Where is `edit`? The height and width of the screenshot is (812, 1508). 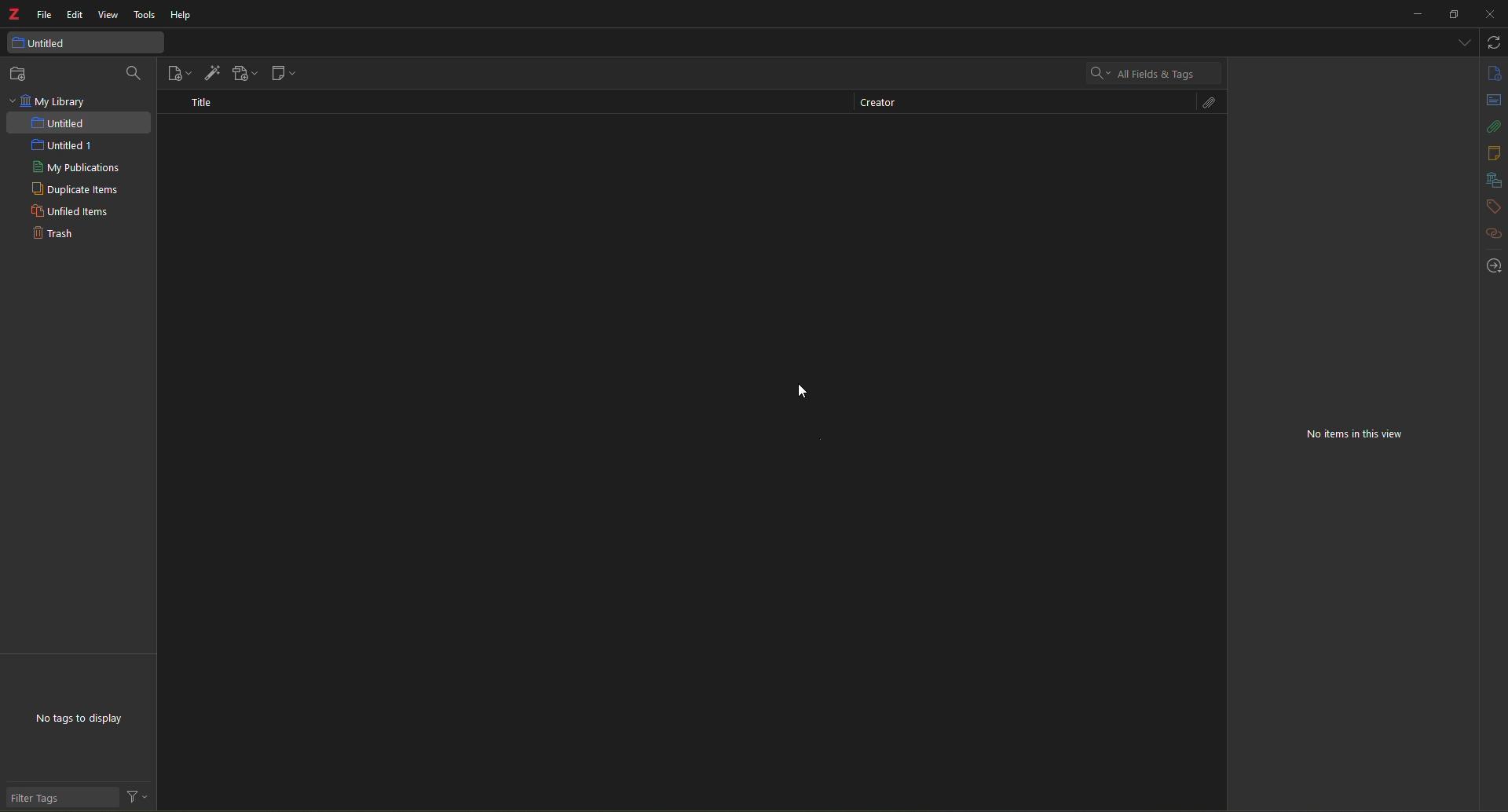
edit is located at coordinates (75, 15).